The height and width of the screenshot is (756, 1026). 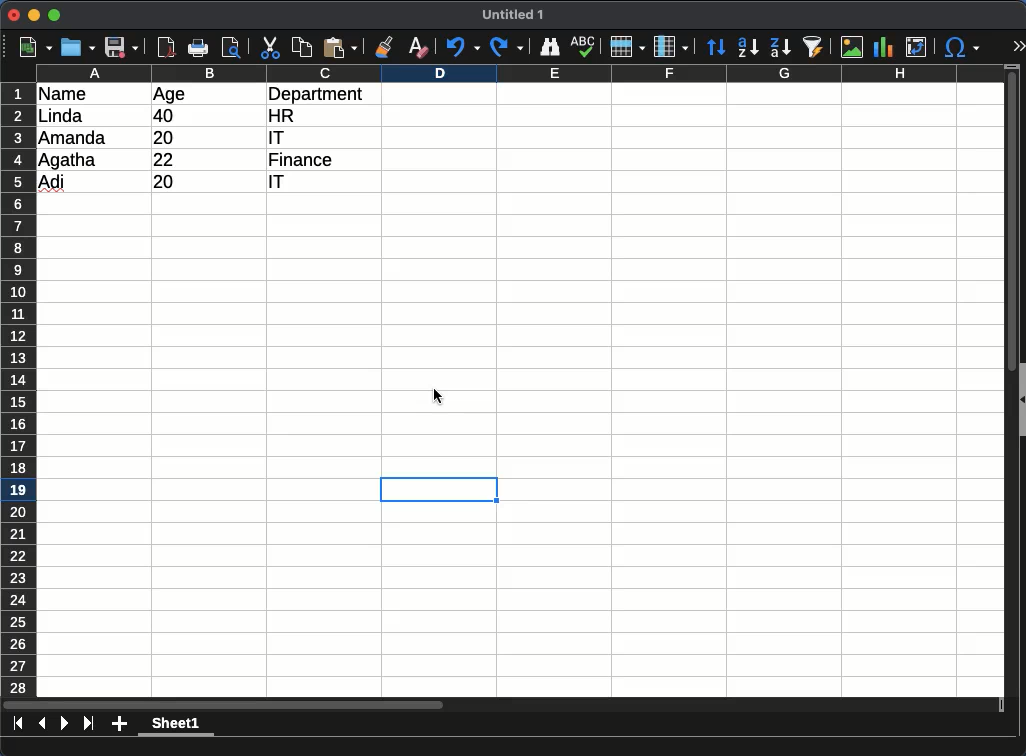 I want to click on it, so click(x=286, y=184).